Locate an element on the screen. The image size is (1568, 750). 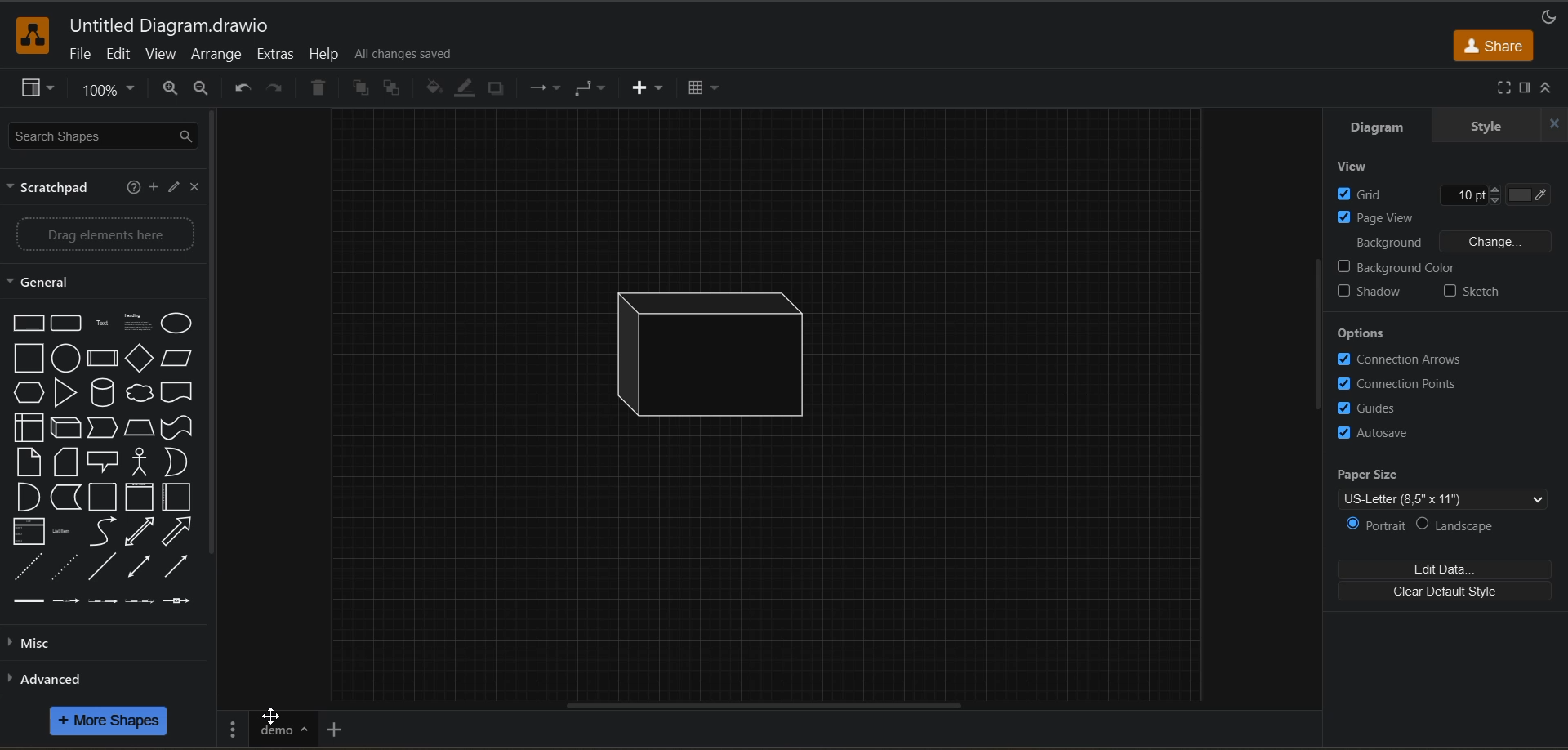
all changes saved is located at coordinates (407, 57).